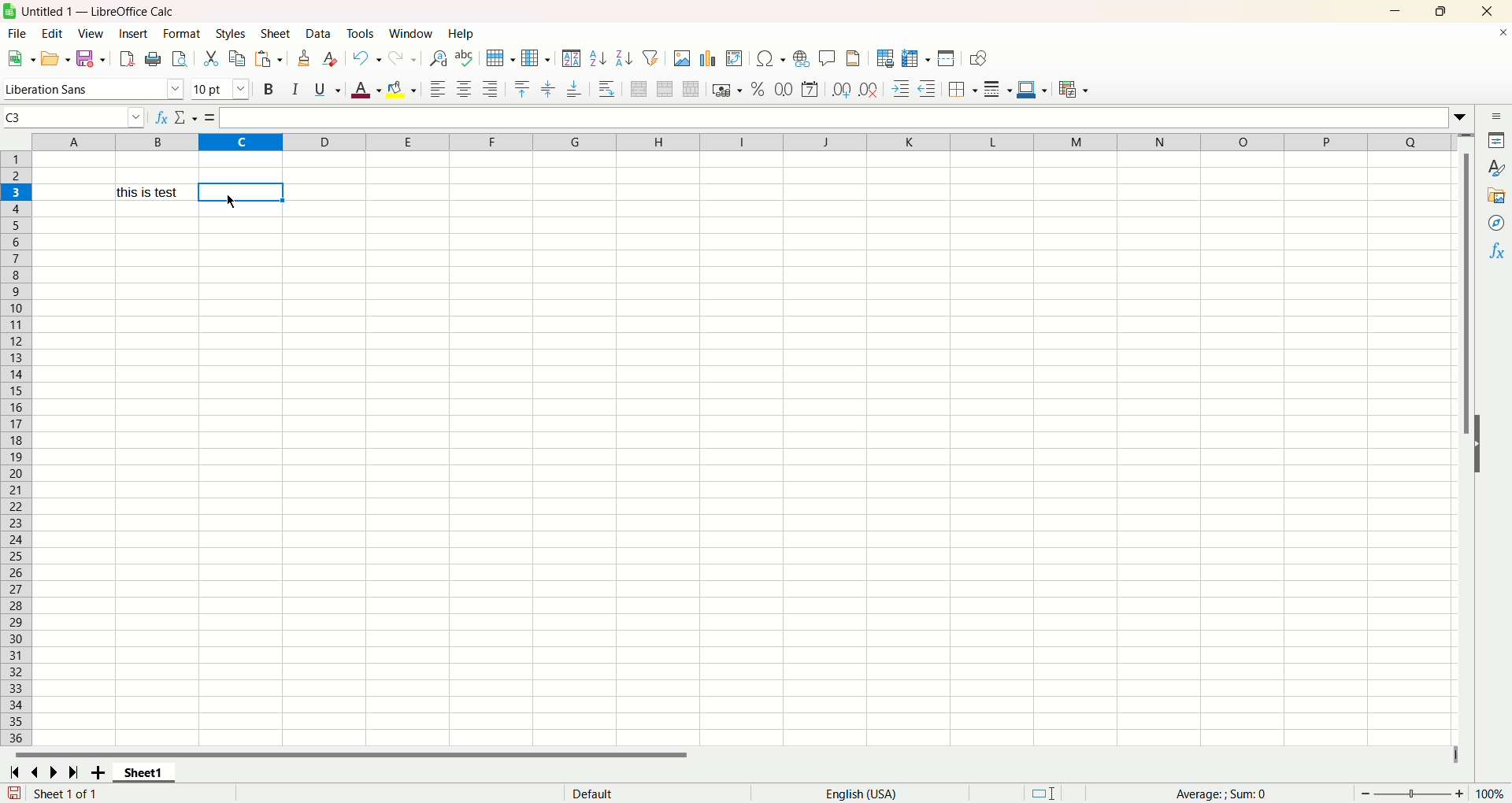 This screenshot has width=1512, height=803. Describe the element at coordinates (185, 117) in the screenshot. I see `select function` at that location.